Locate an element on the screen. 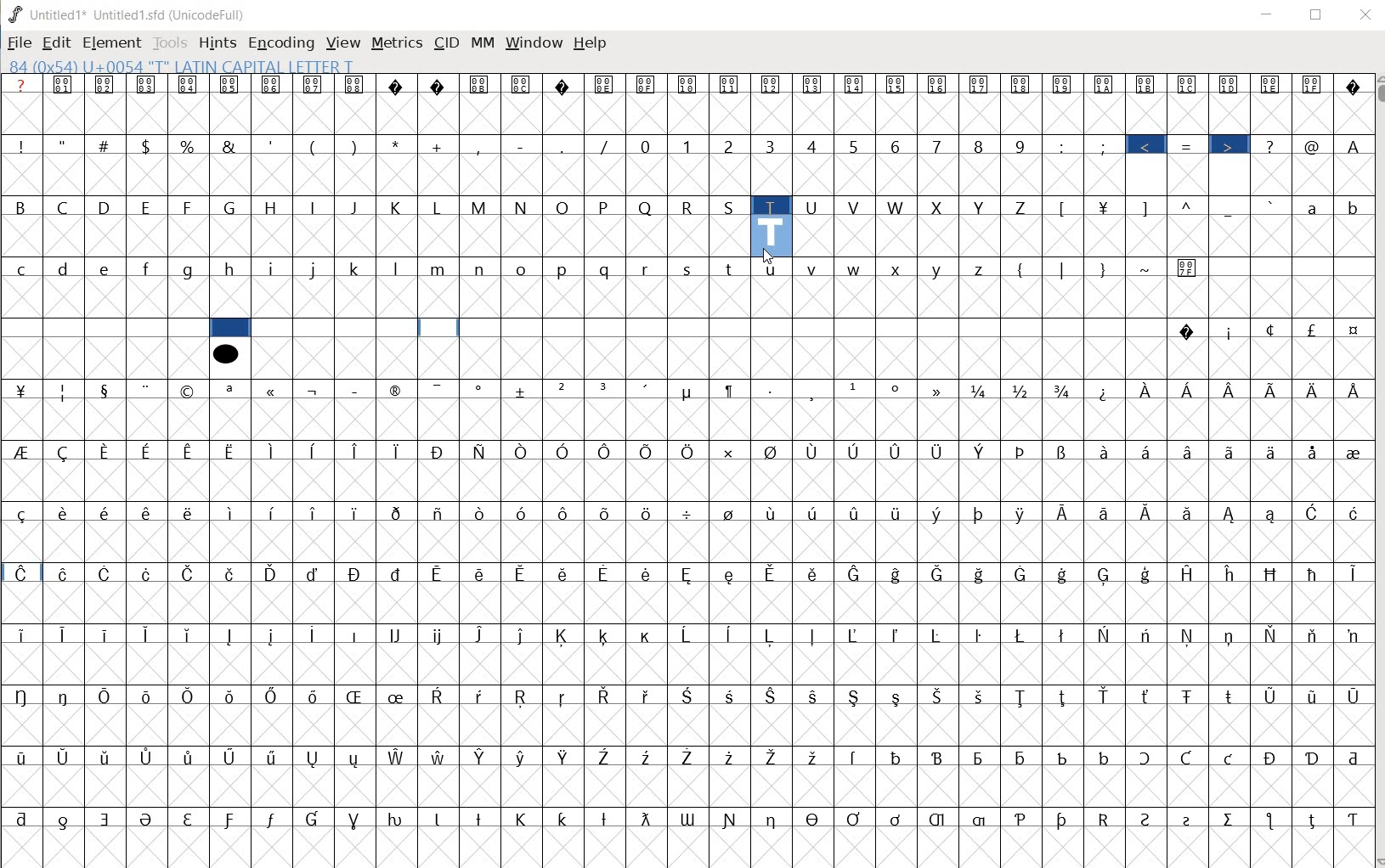 This screenshot has width=1385, height=868. Symbol is located at coordinates (811, 695).